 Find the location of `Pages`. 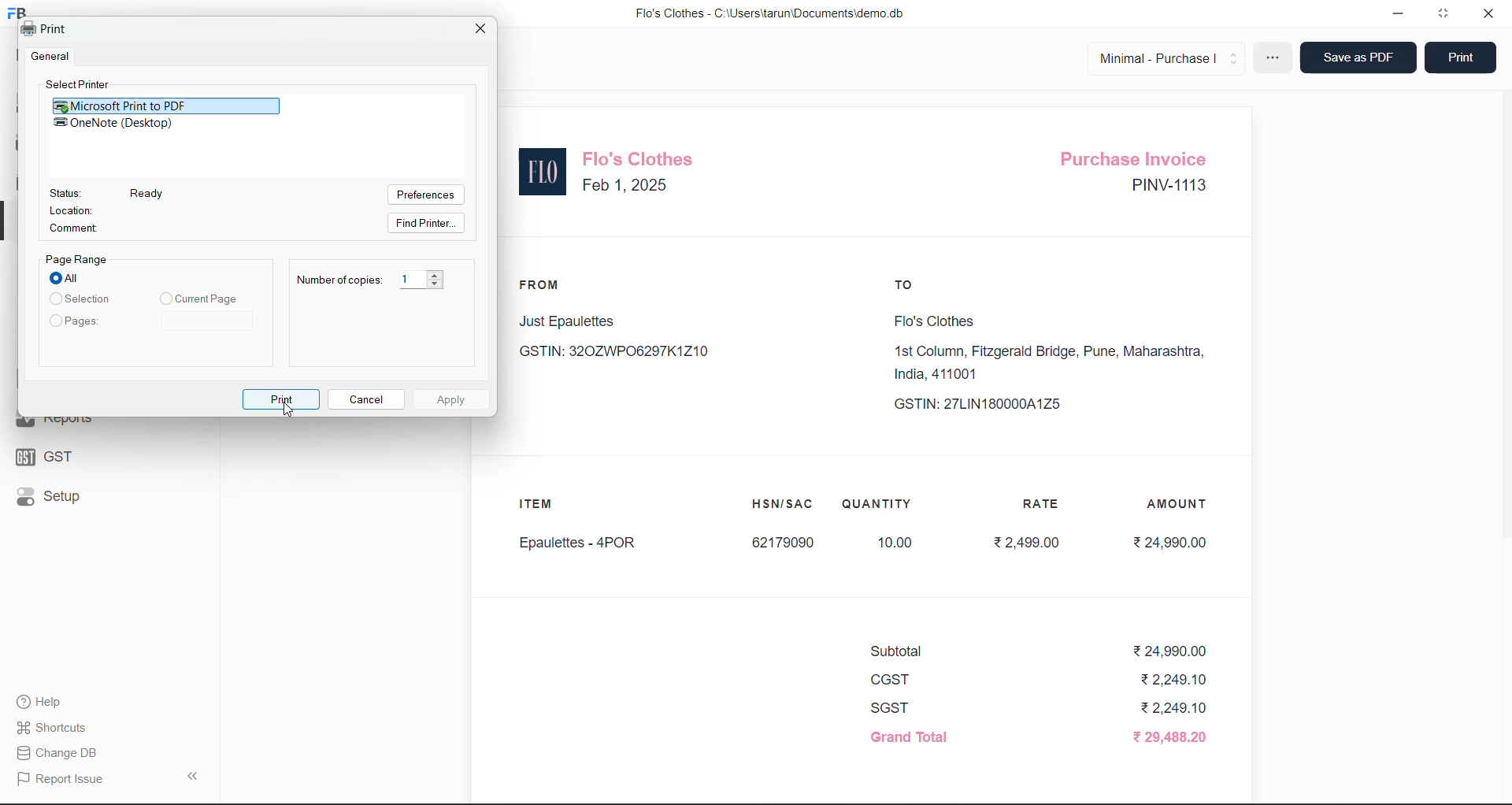

Pages is located at coordinates (78, 321).